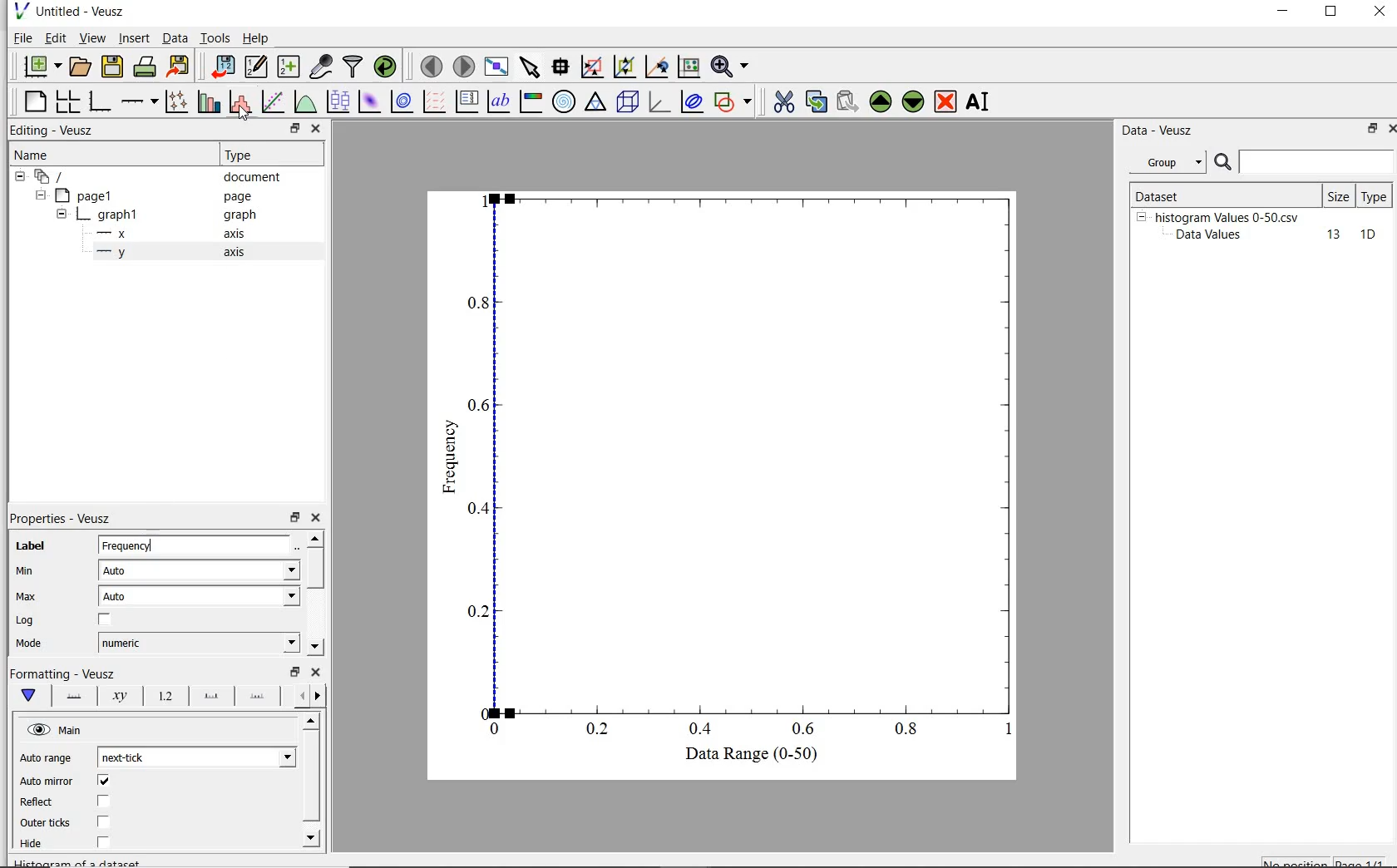 The image size is (1397, 868). Describe the element at coordinates (29, 645) in the screenshot. I see `| Mode` at that location.